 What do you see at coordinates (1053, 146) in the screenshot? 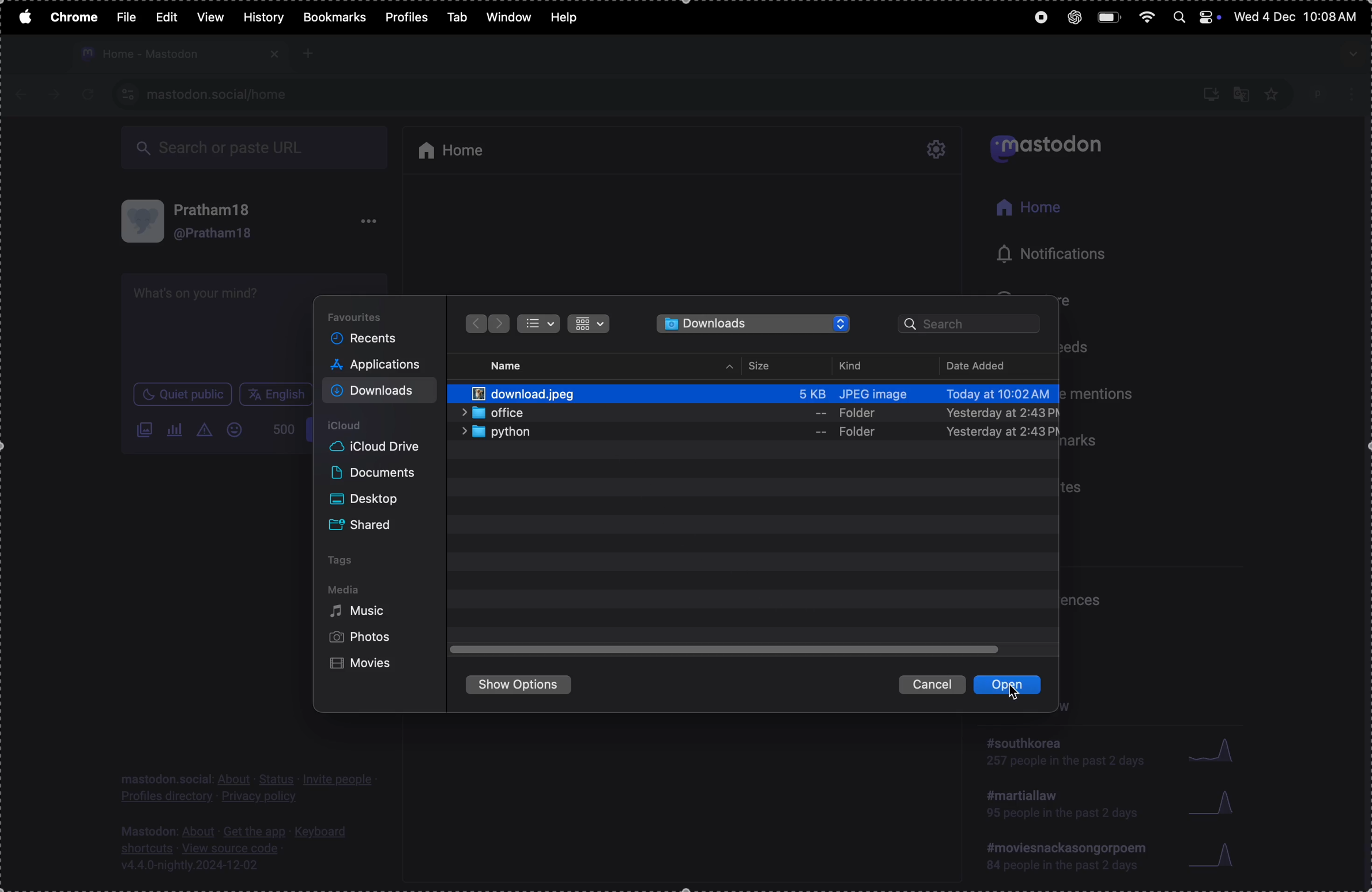
I see `Mastodon` at bounding box center [1053, 146].